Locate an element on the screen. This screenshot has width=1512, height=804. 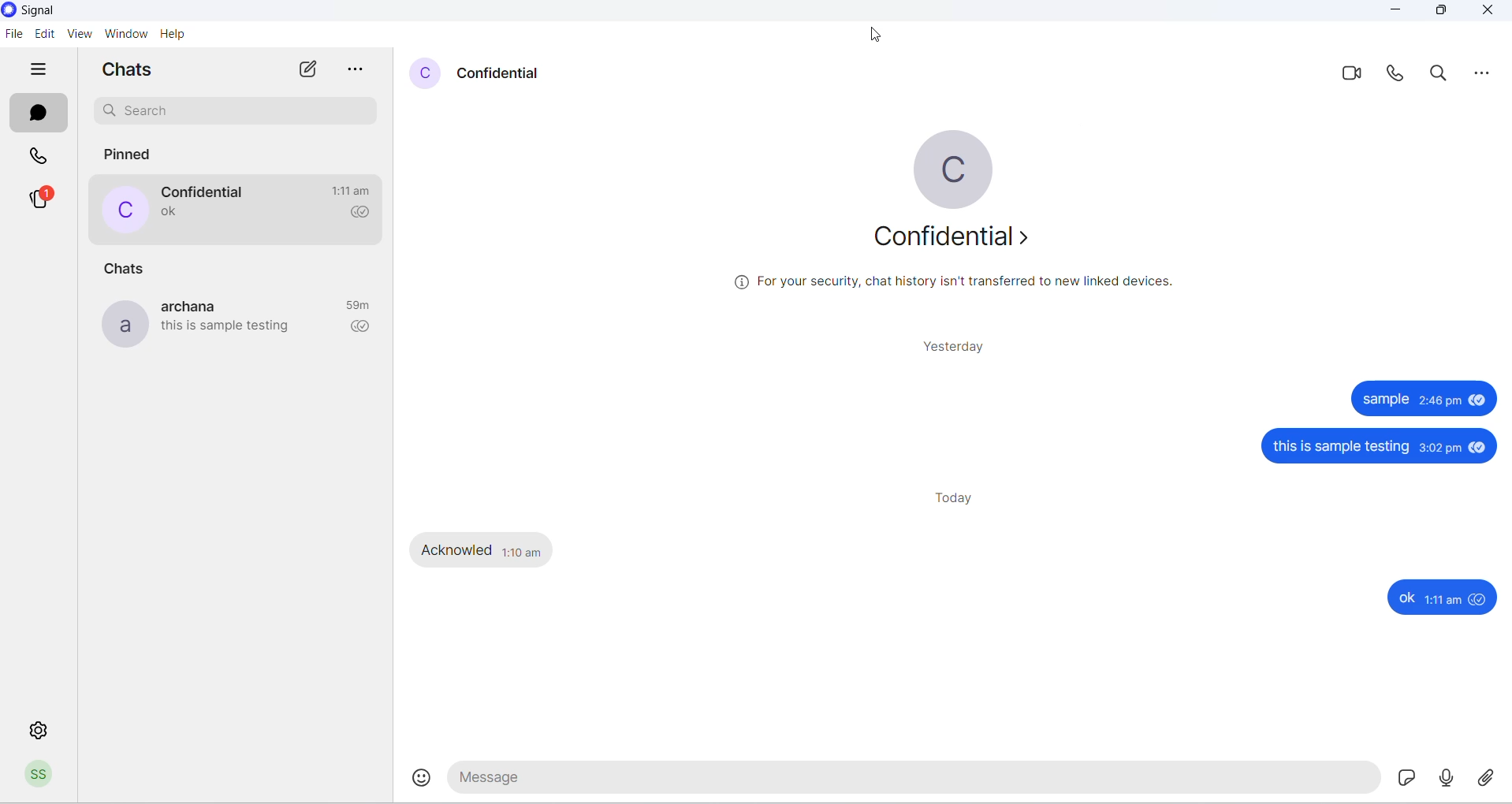
seen is located at coordinates (1477, 400).